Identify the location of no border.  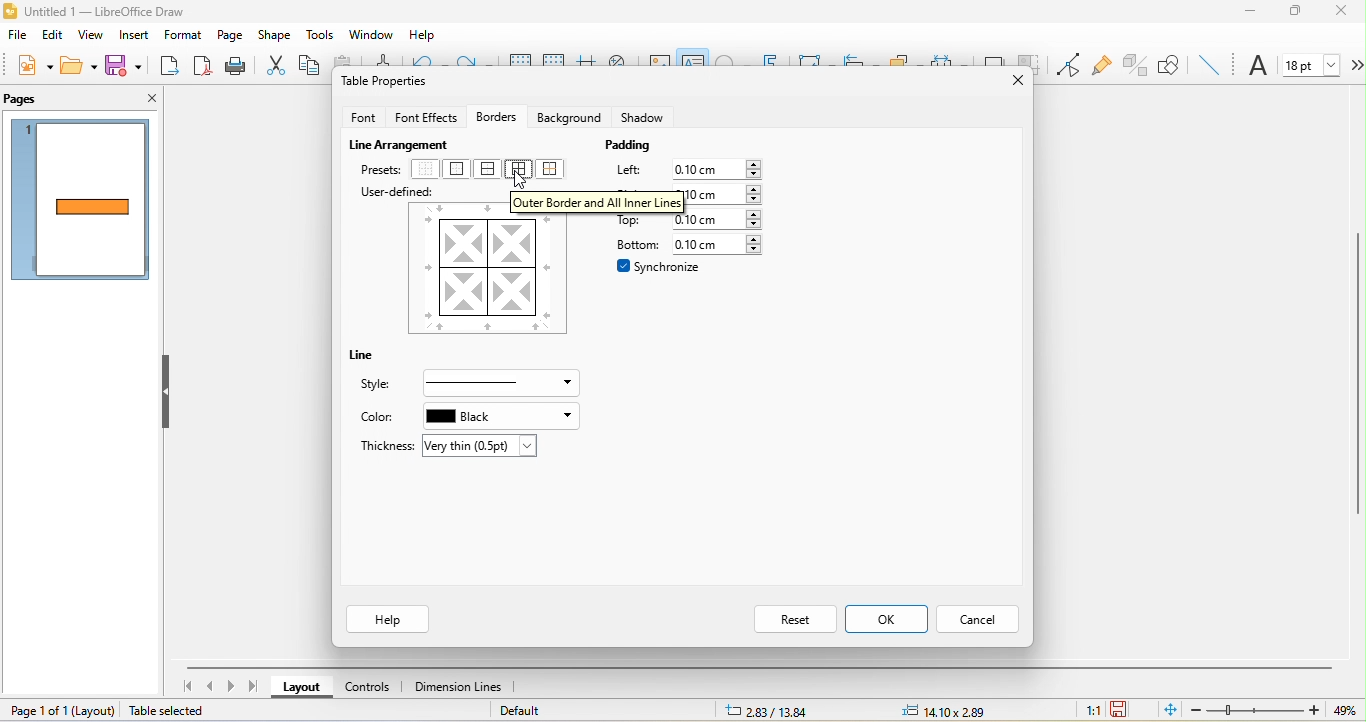
(426, 170).